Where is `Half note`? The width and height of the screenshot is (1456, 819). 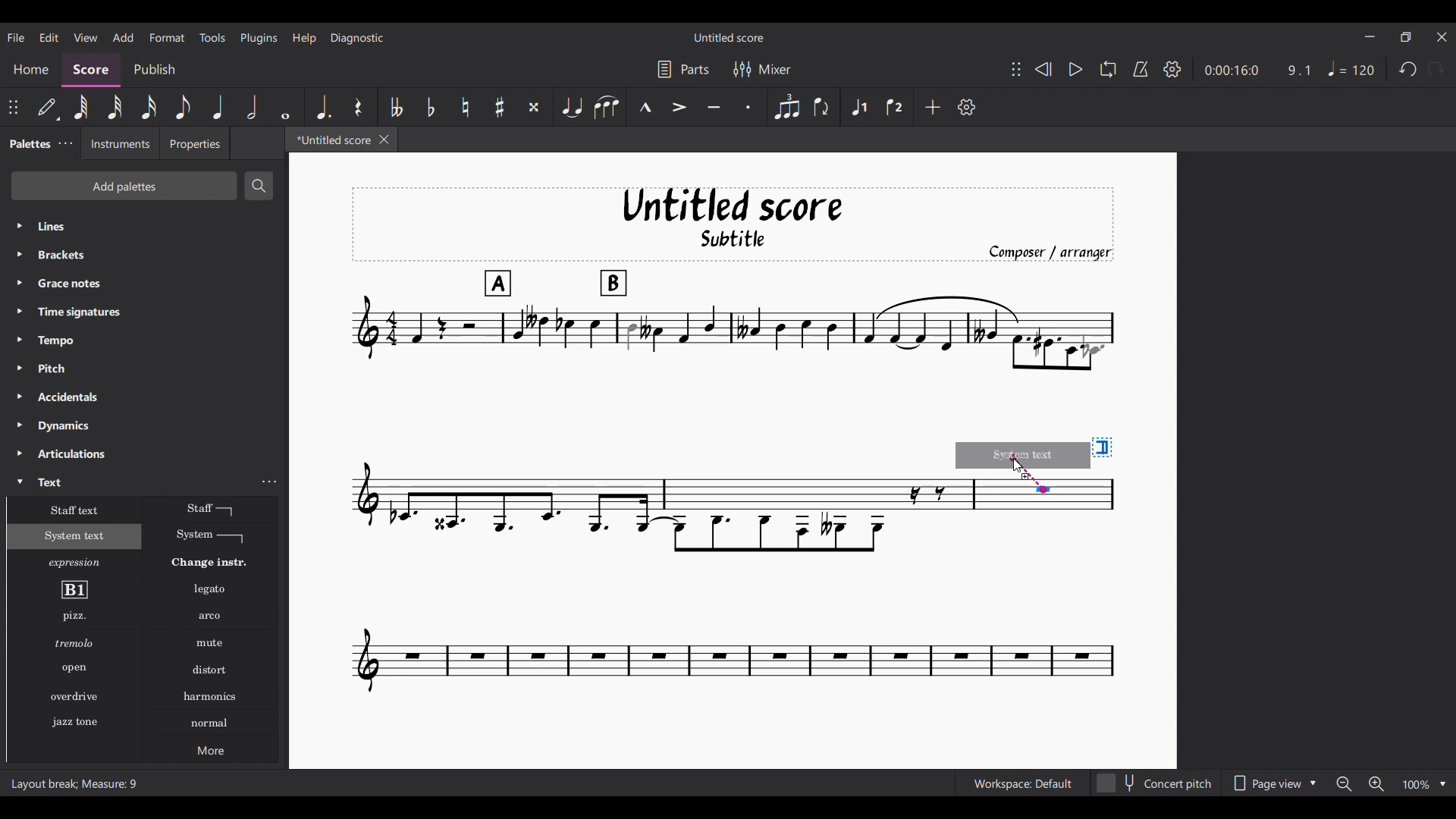
Half note is located at coordinates (252, 106).